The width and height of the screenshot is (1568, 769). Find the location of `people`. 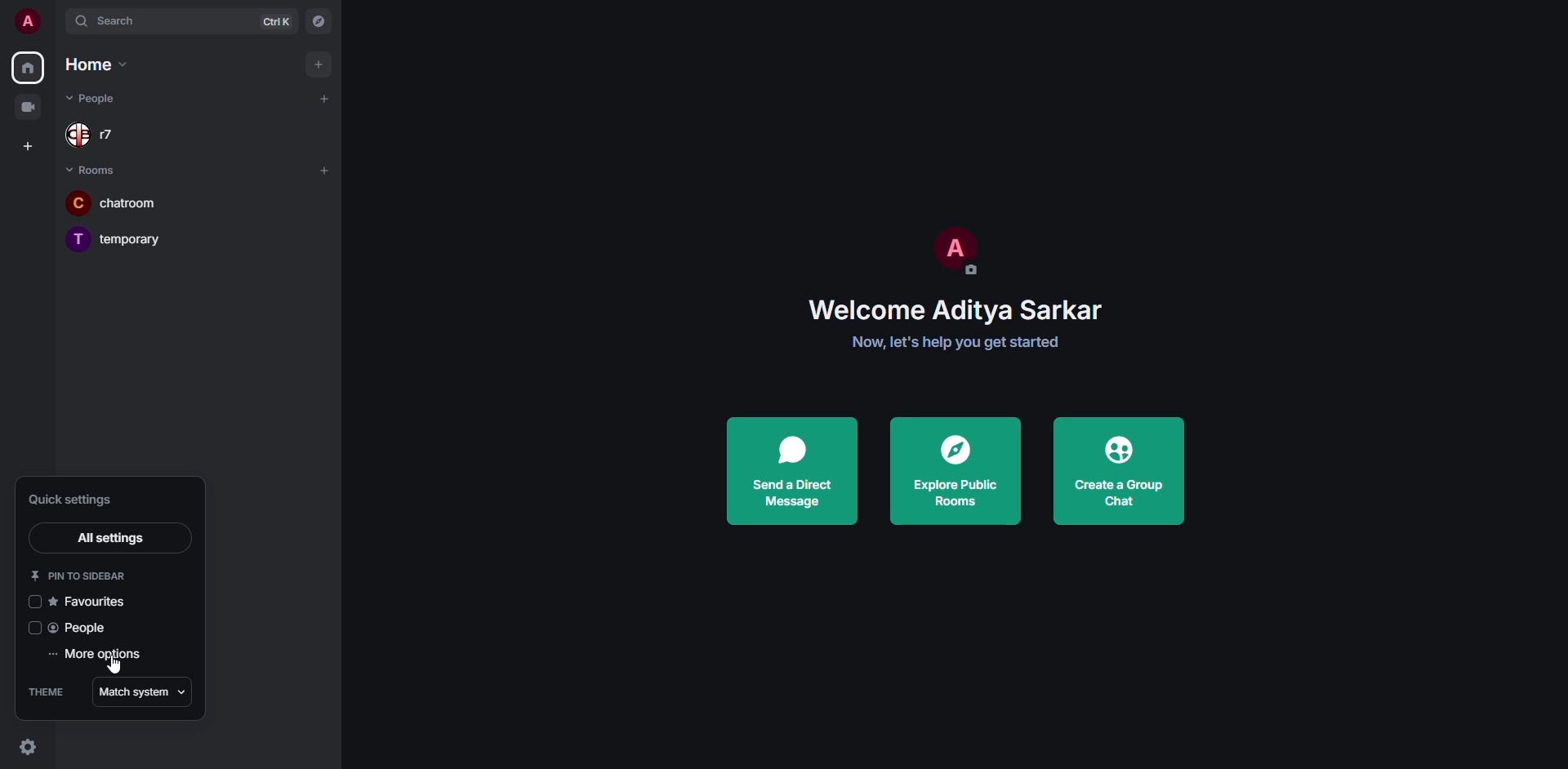

people is located at coordinates (104, 134).